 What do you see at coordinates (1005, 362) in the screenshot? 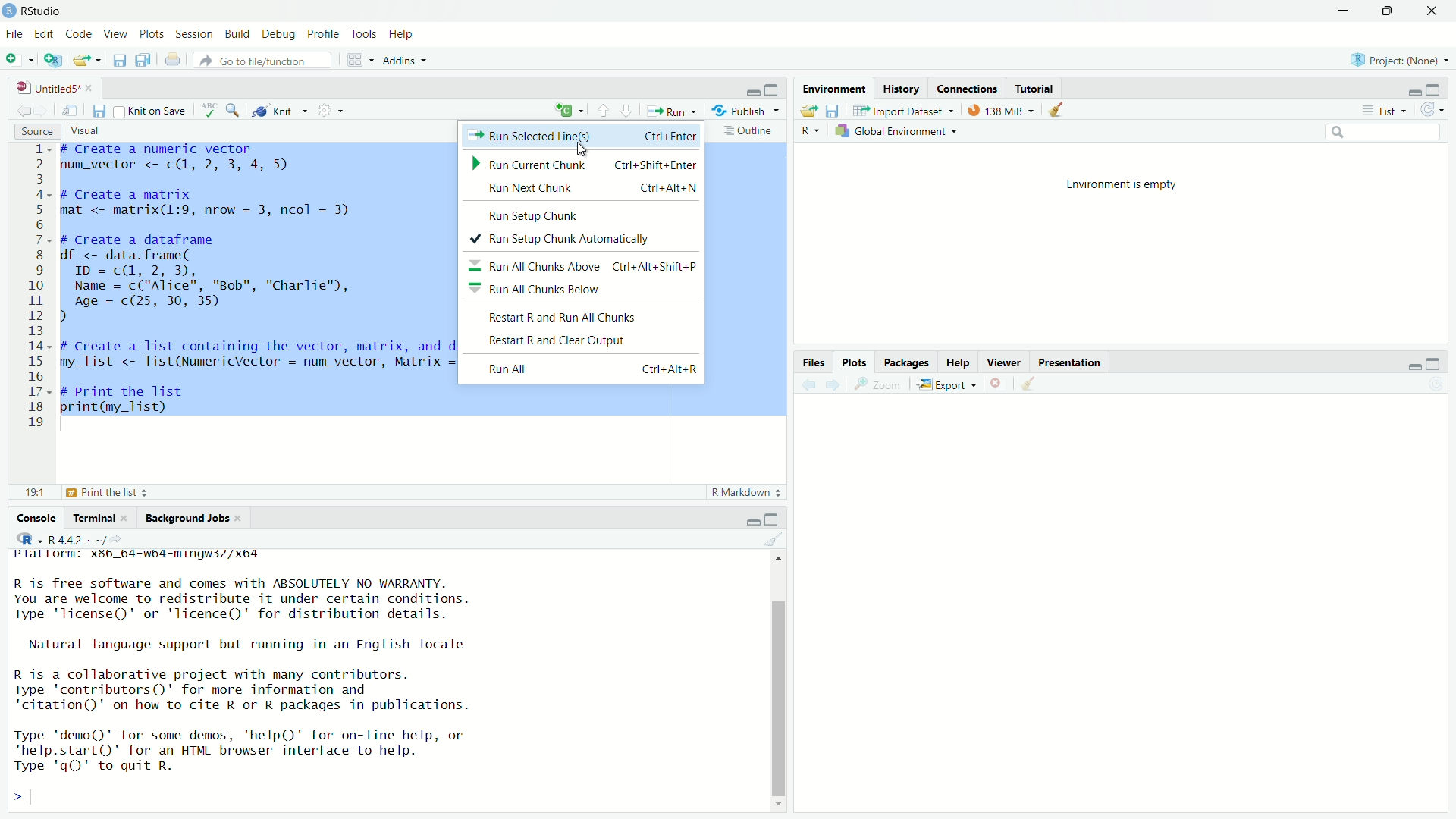
I see `Viewer` at bounding box center [1005, 362].